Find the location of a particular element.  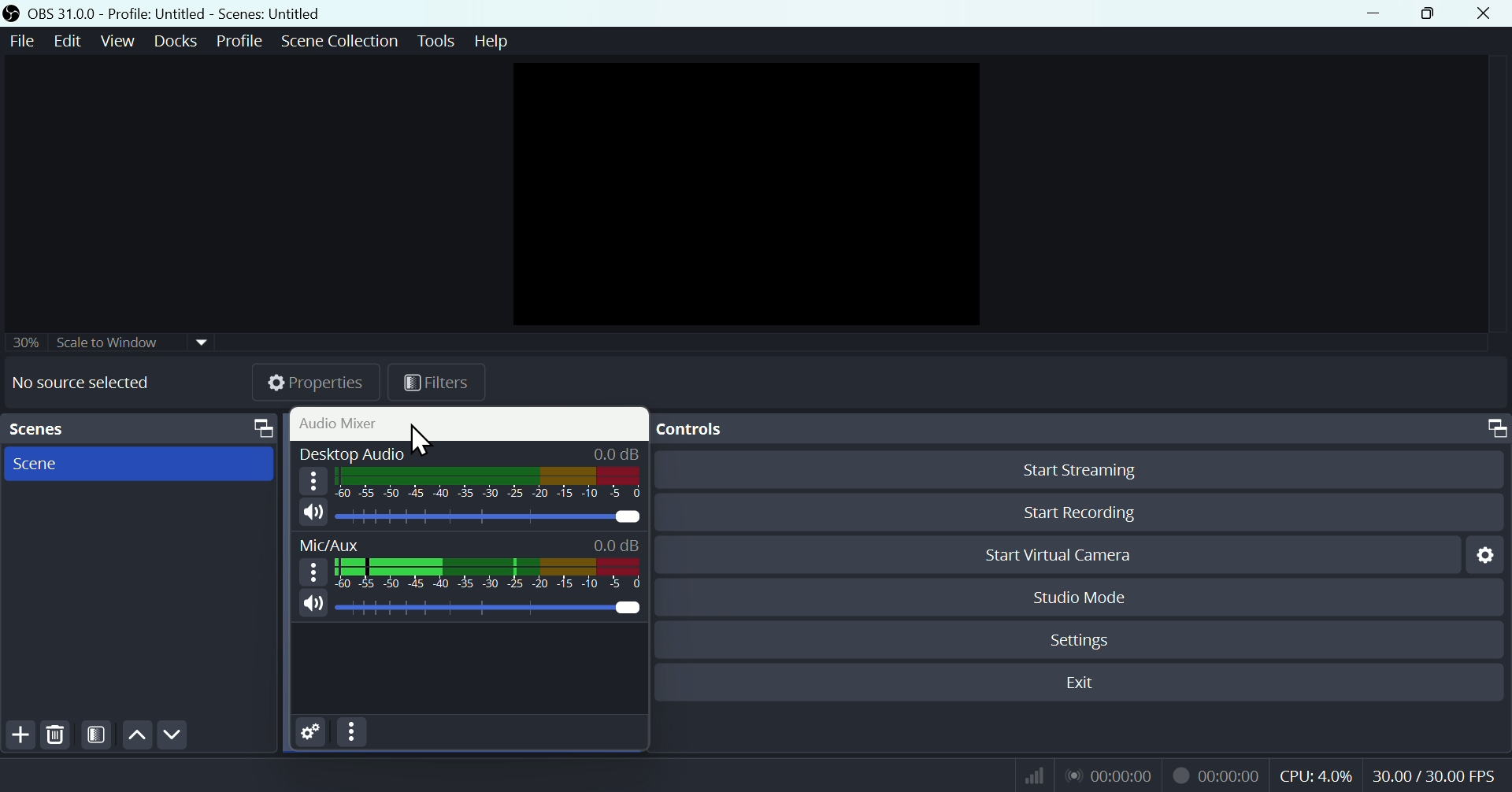

More options is located at coordinates (313, 479).